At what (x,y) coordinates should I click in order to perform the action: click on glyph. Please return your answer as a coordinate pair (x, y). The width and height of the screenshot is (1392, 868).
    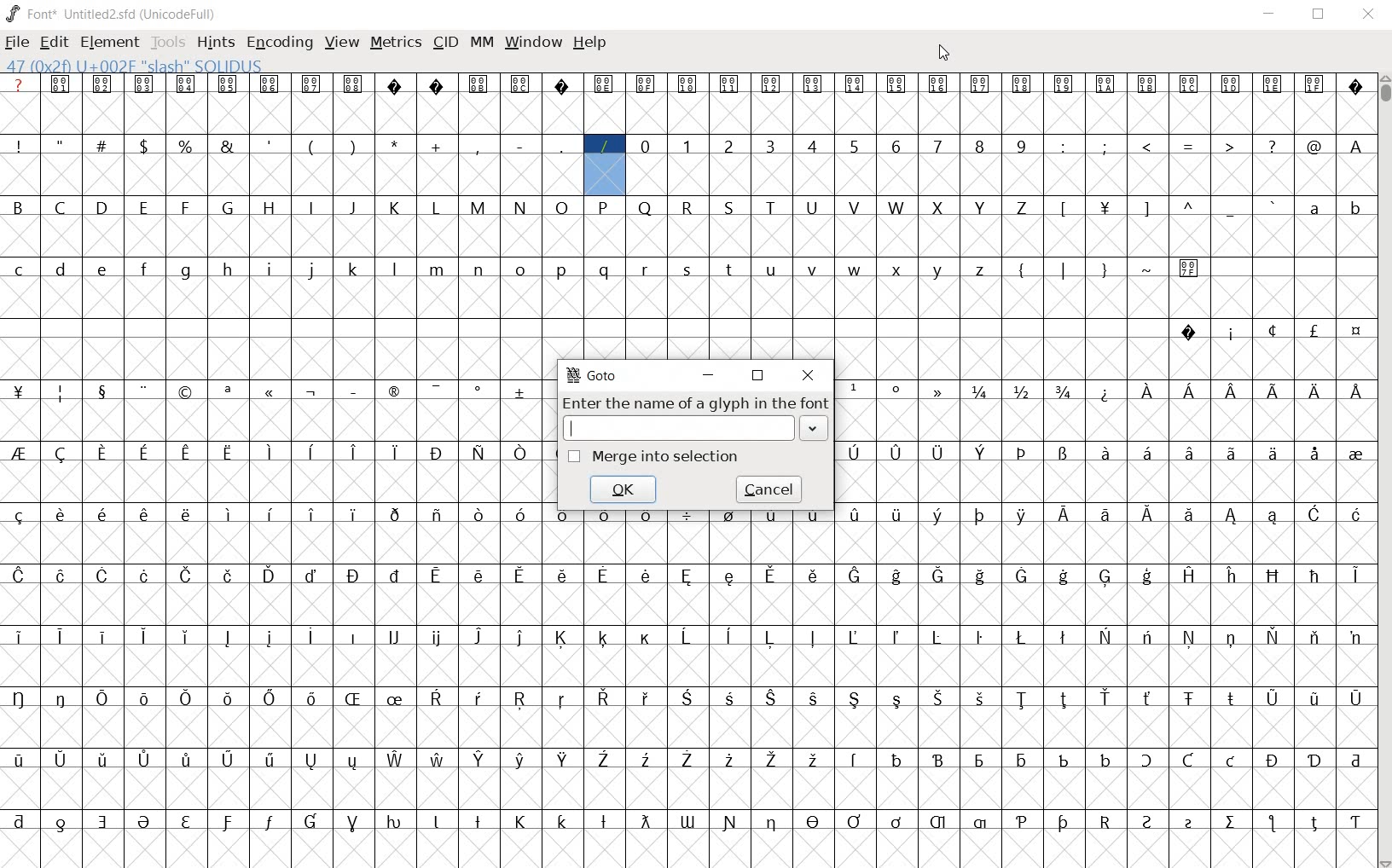
    Looking at the image, I should click on (61, 825).